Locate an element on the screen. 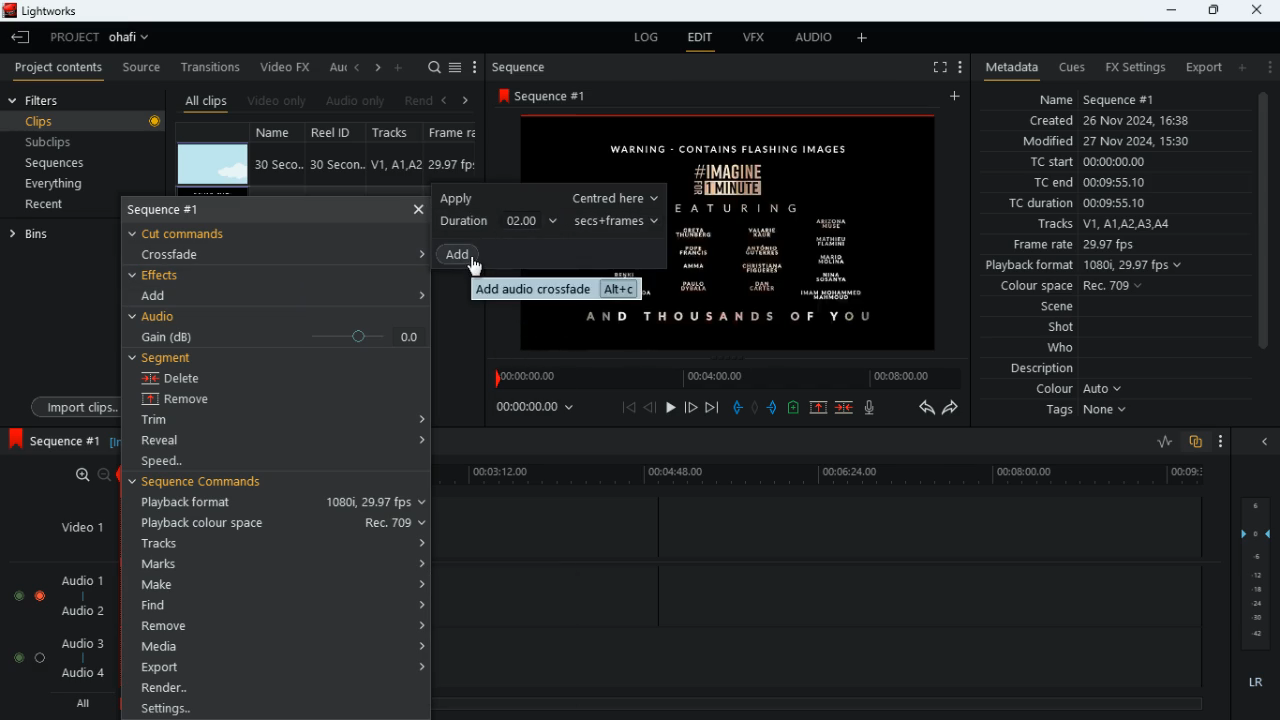 The width and height of the screenshot is (1280, 720). sequence is located at coordinates (53, 440).